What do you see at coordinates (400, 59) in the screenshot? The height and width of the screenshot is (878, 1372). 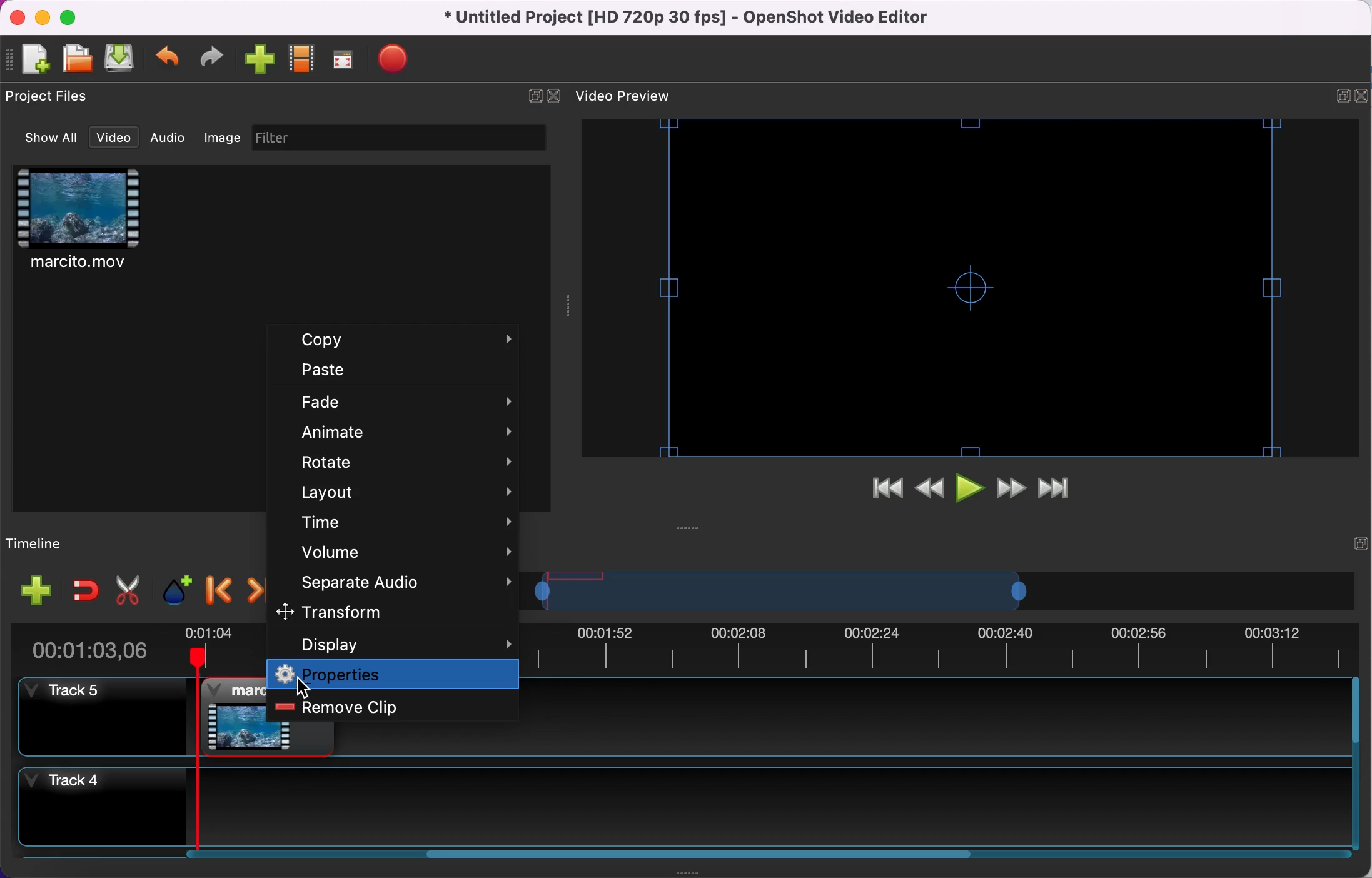 I see `export file` at bounding box center [400, 59].